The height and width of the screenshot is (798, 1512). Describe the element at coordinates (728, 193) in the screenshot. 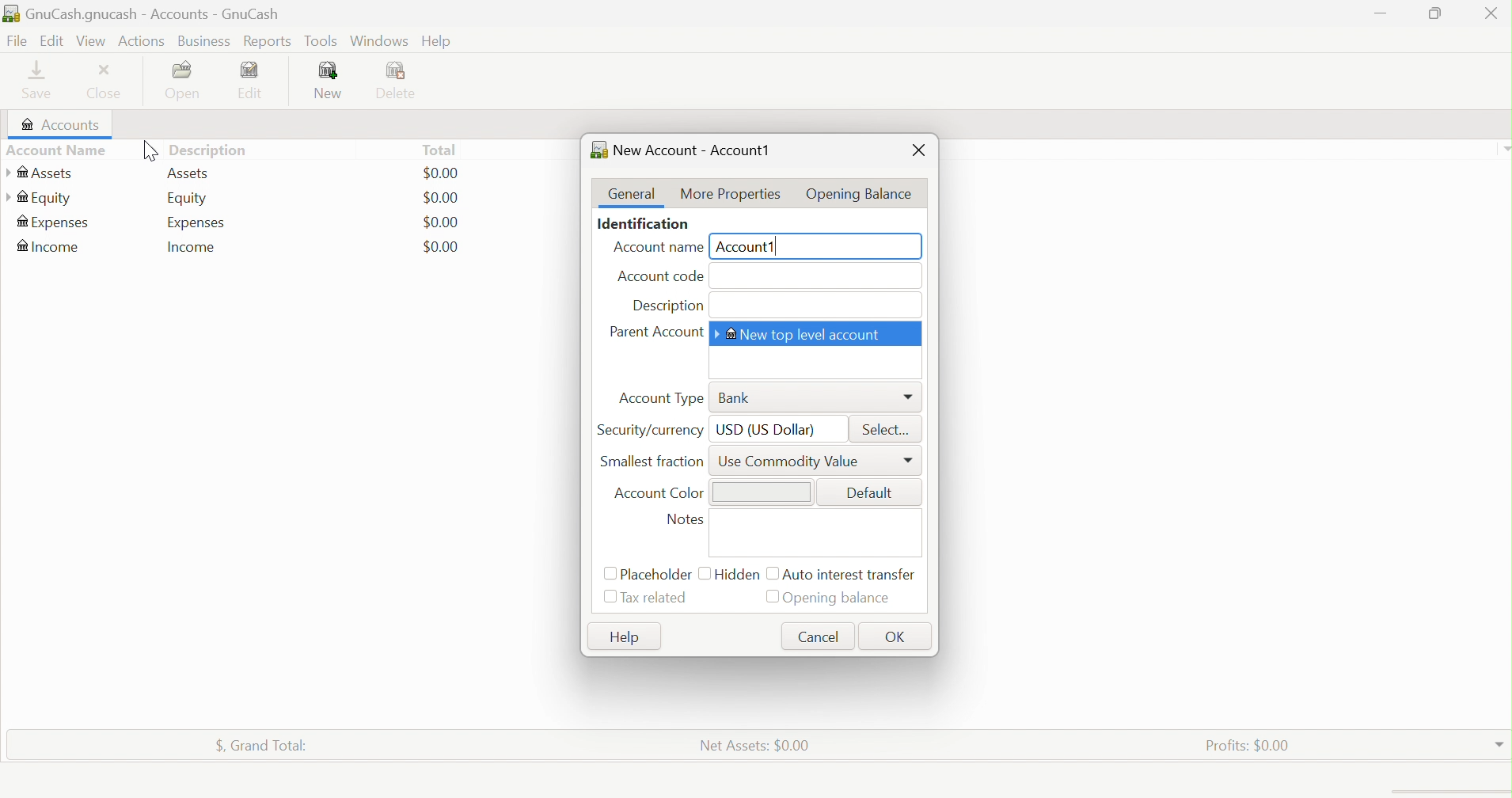

I see `More Properties` at that location.